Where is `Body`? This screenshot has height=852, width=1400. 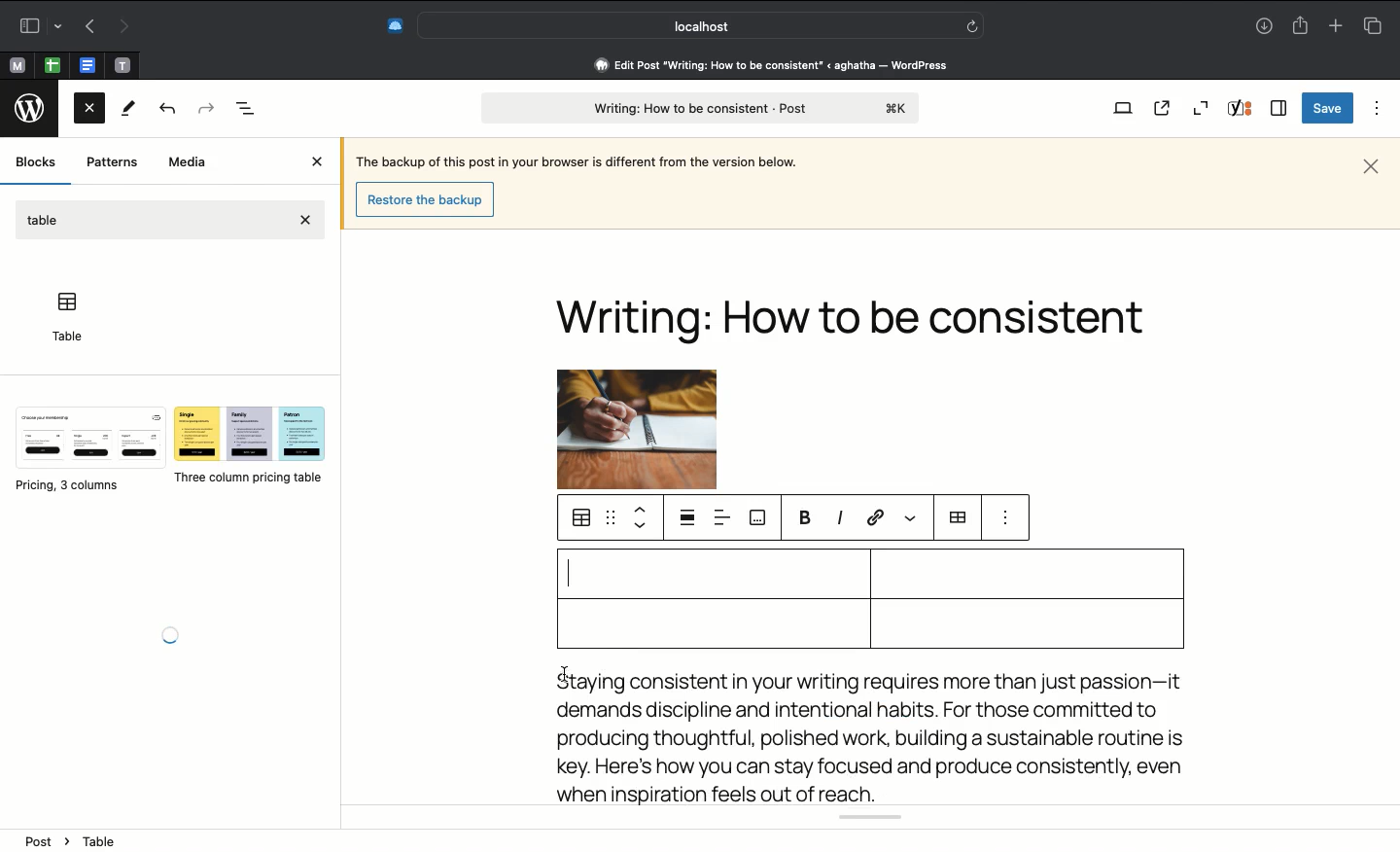 Body is located at coordinates (874, 735).